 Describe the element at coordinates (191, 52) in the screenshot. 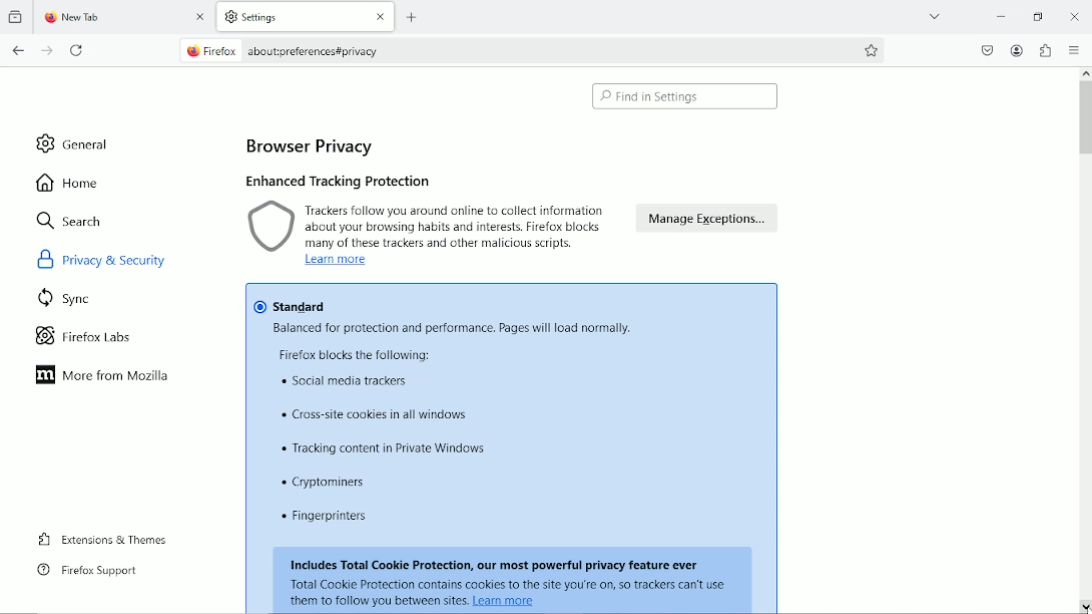

I see `firefox logo` at that location.